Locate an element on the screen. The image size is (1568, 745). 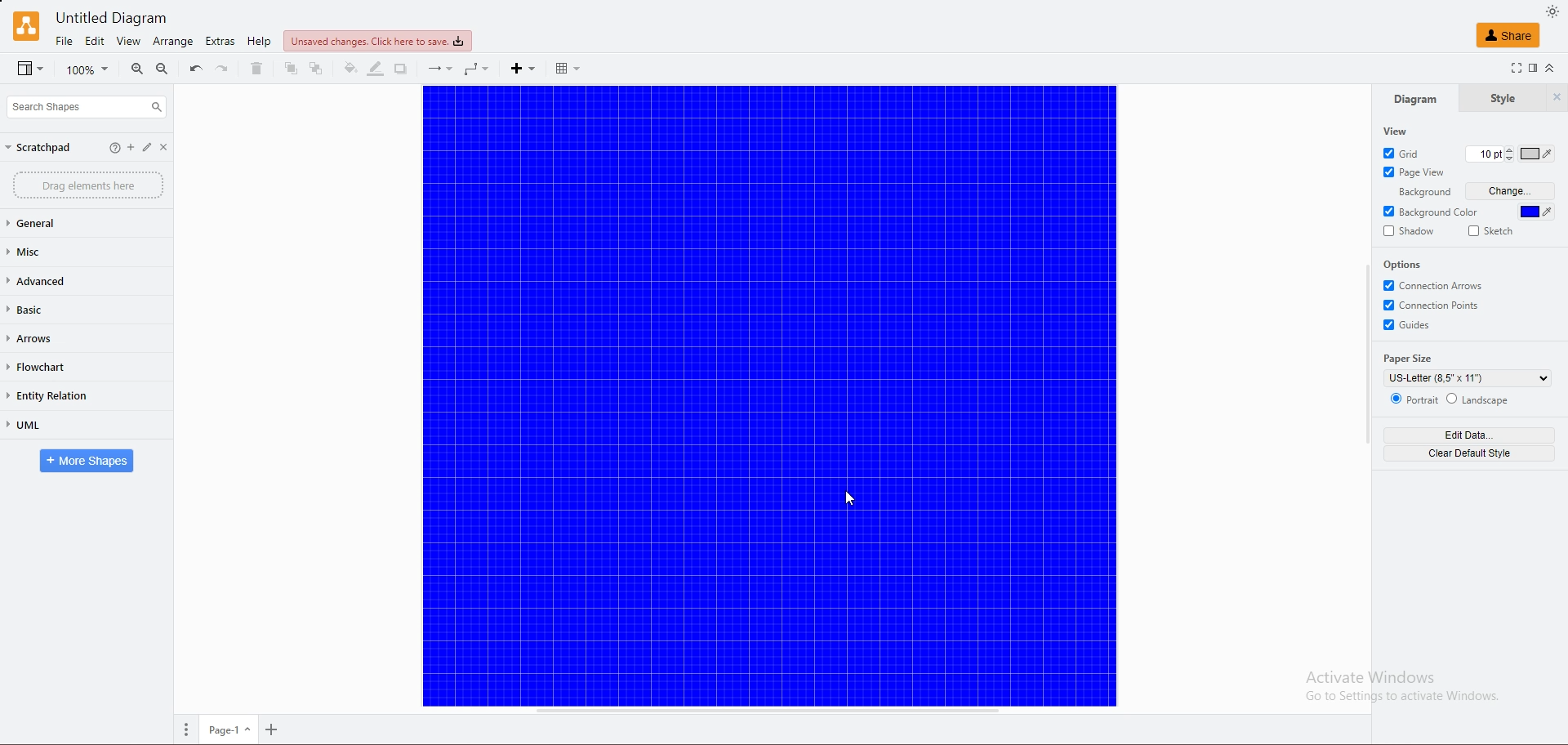
background is located at coordinates (1419, 192).